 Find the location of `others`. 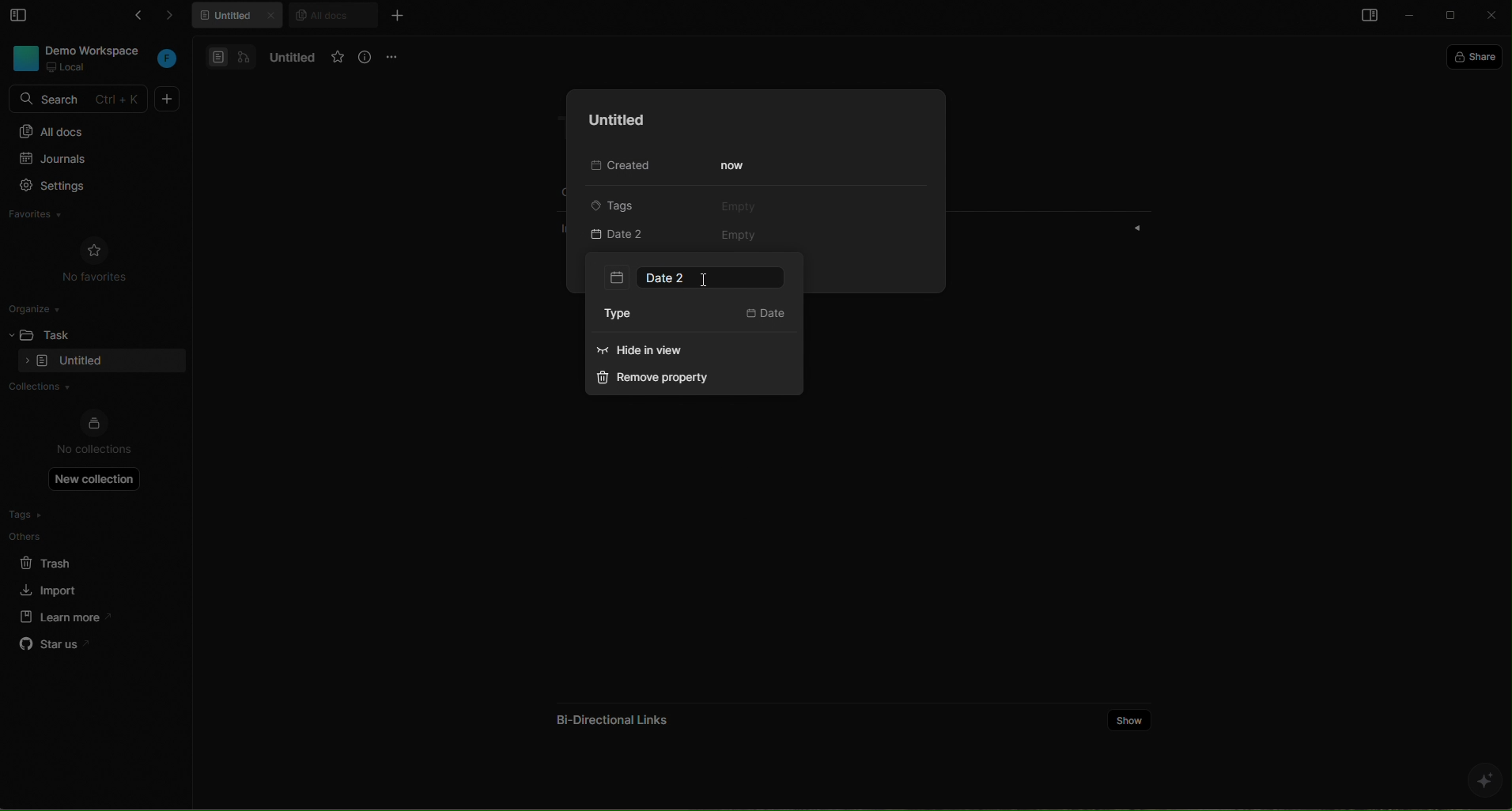

others is located at coordinates (59, 536).